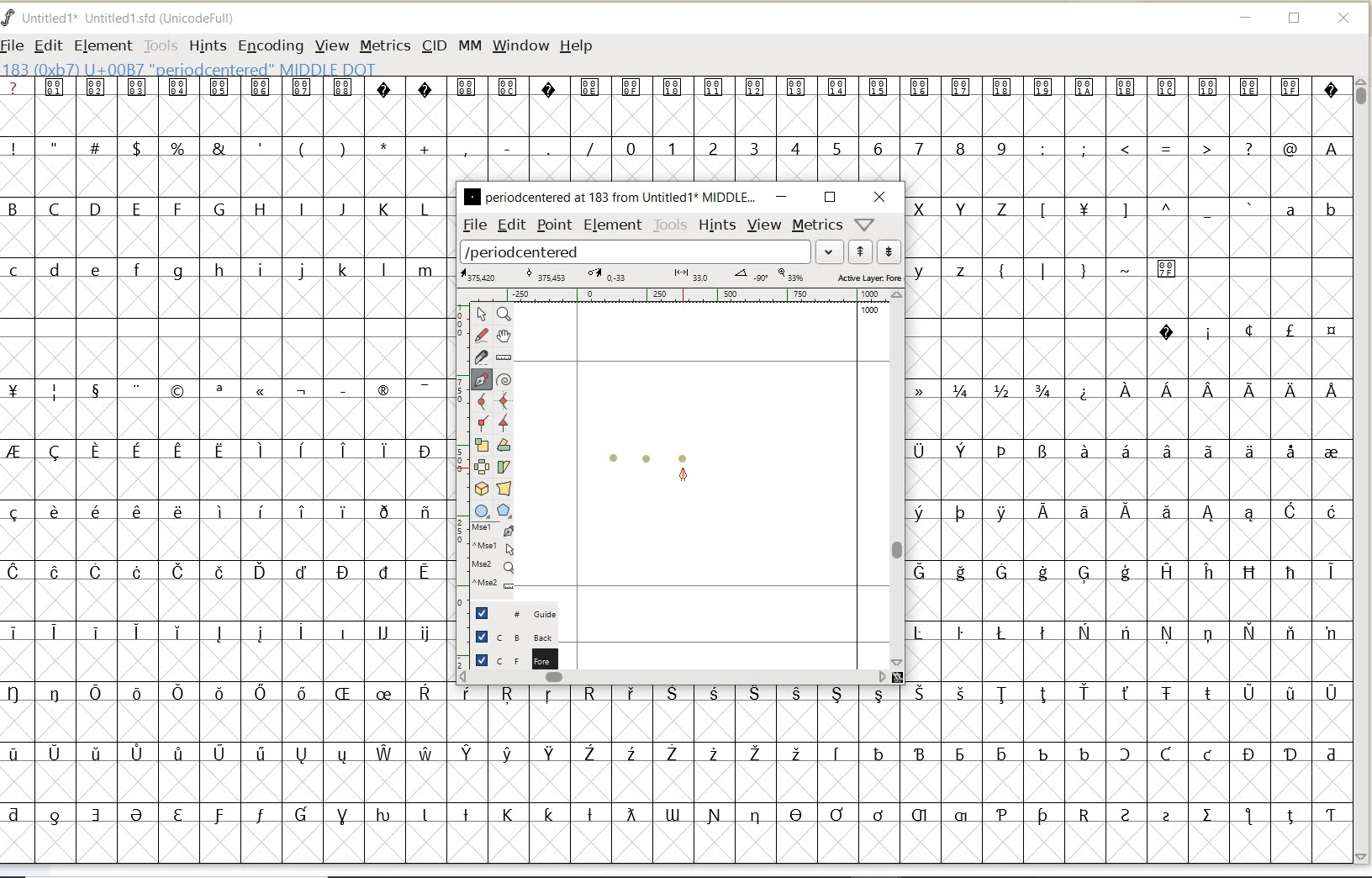 The width and height of the screenshot is (1372, 878). Describe the element at coordinates (679, 277) in the screenshot. I see `active layer` at that location.